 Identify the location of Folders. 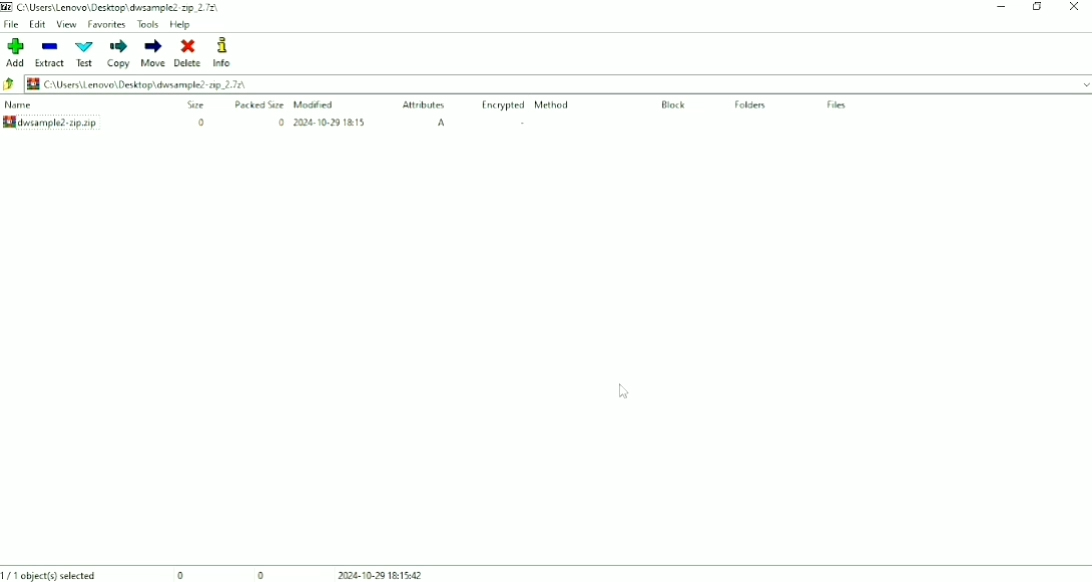
(753, 106).